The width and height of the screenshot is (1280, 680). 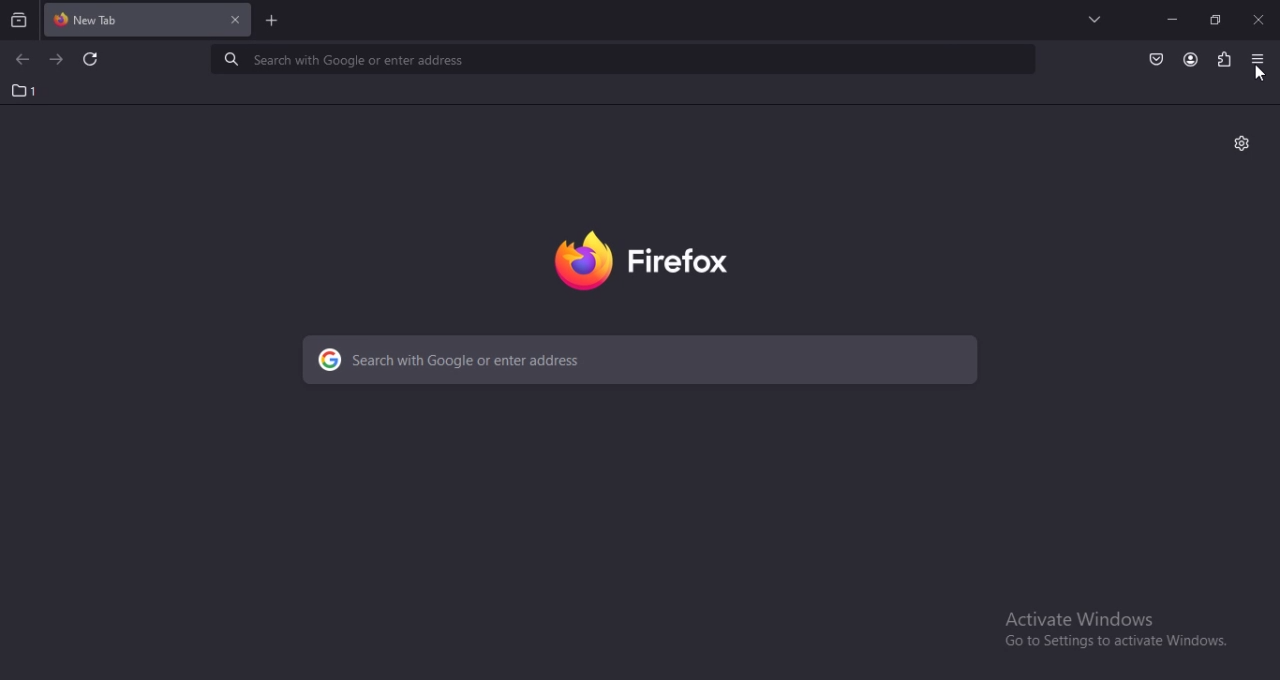 I want to click on save to pocket, so click(x=1153, y=57).